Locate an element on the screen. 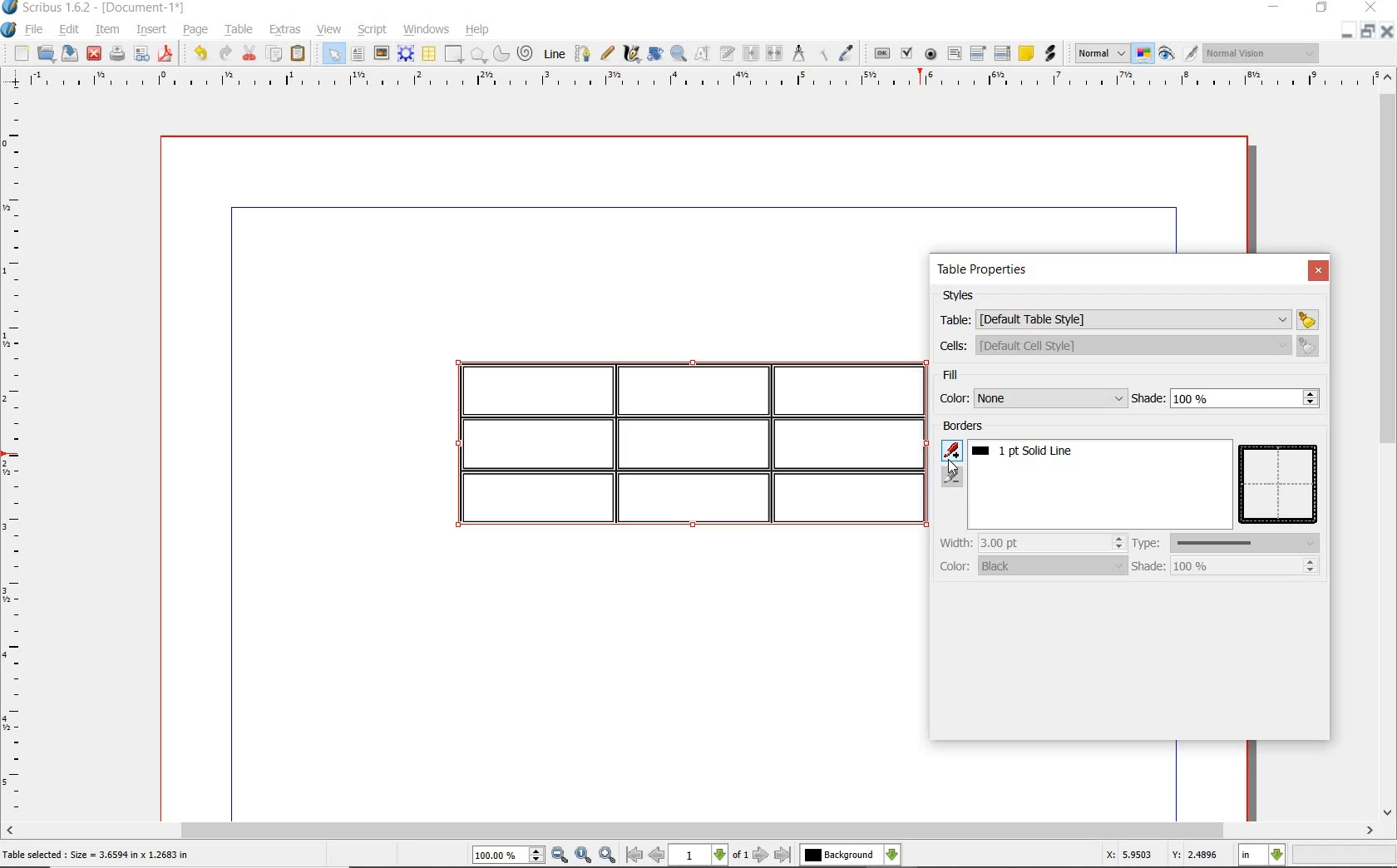  width is located at coordinates (1030, 542).